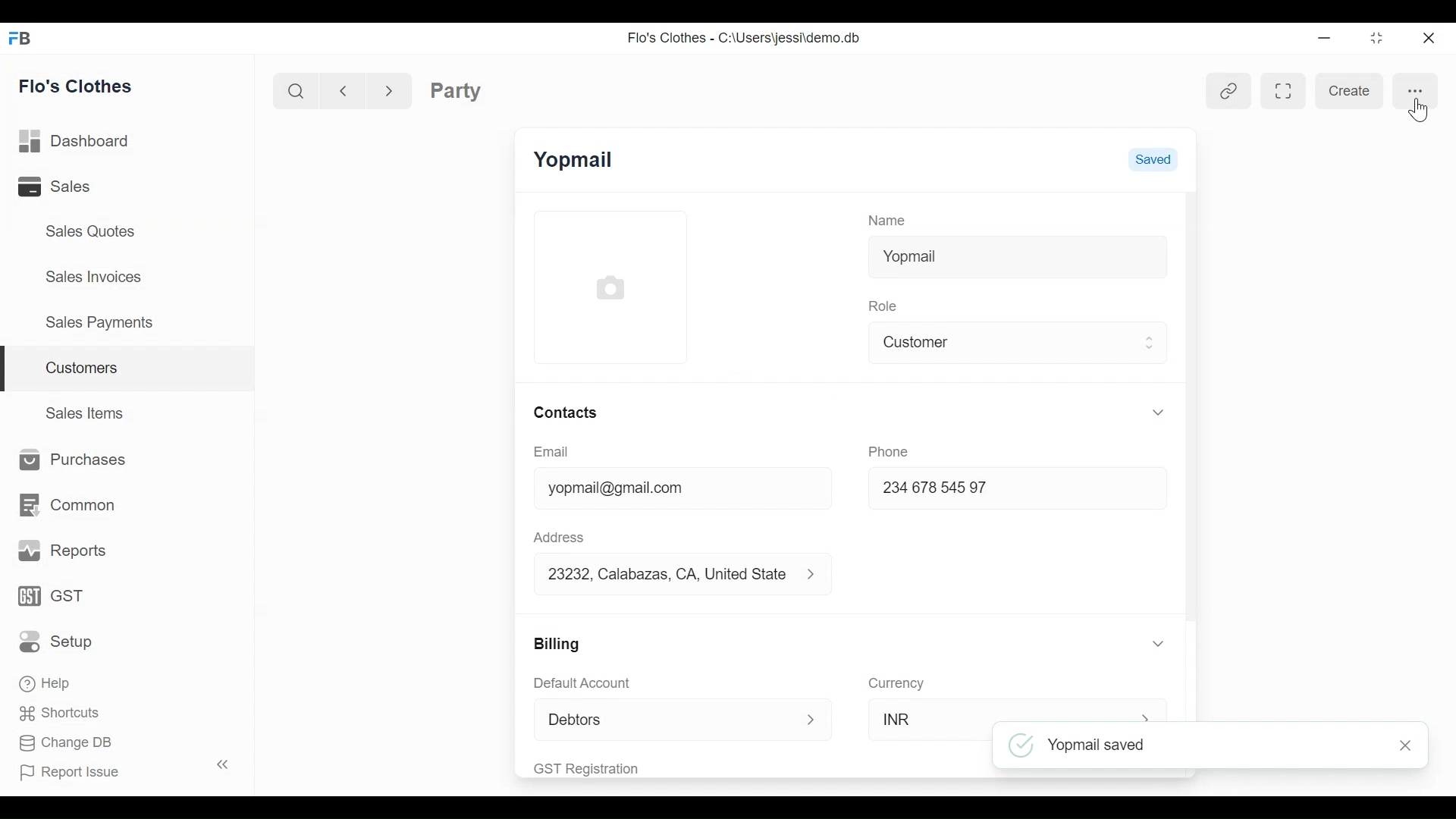 The height and width of the screenshot is (819, 1456). What do you see at coordinates (599, 684) in the screenshot?
I see `Default Account` at bounding box center [599, 684].